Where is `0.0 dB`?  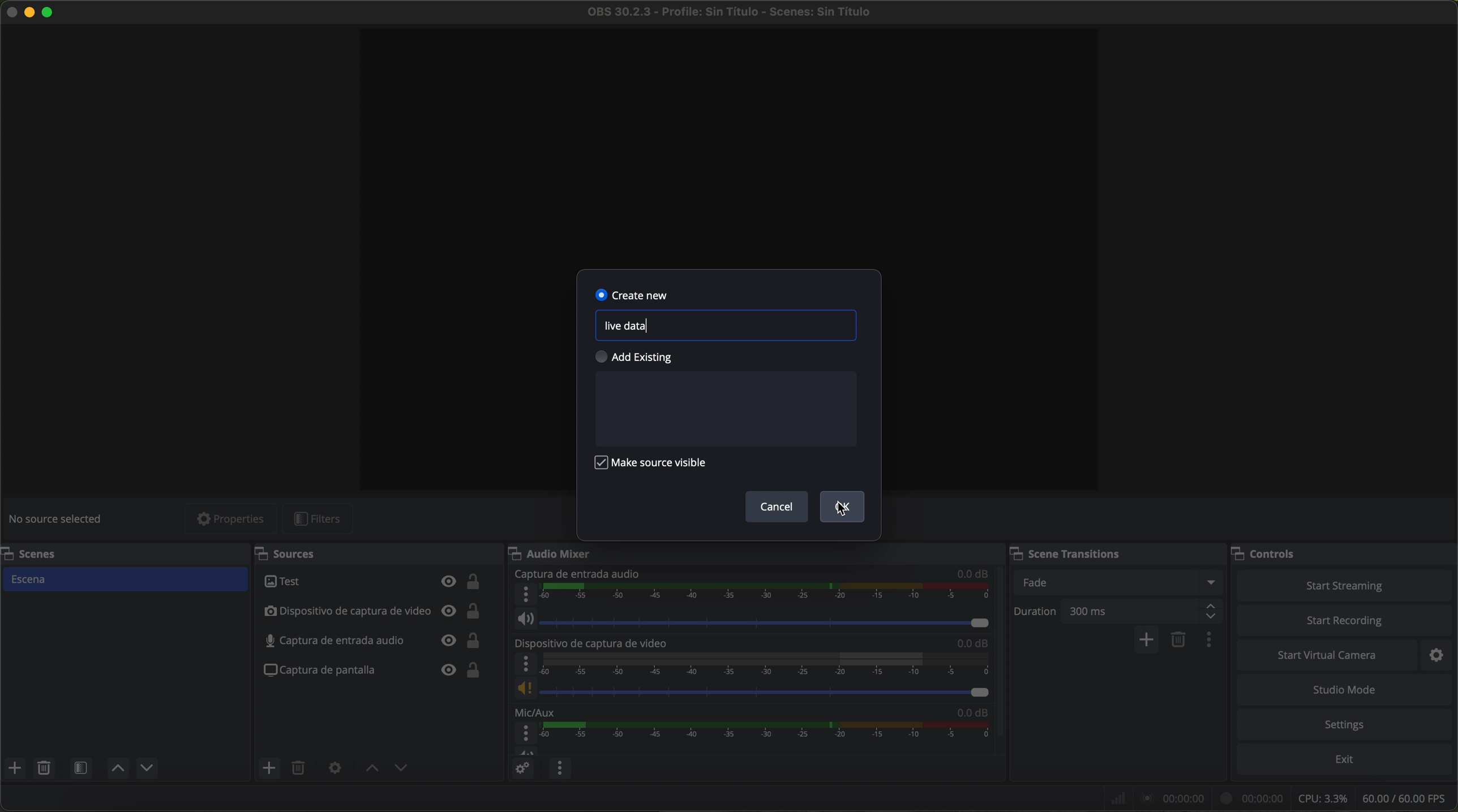 0.0 dB is located at coordinates (973, 574).